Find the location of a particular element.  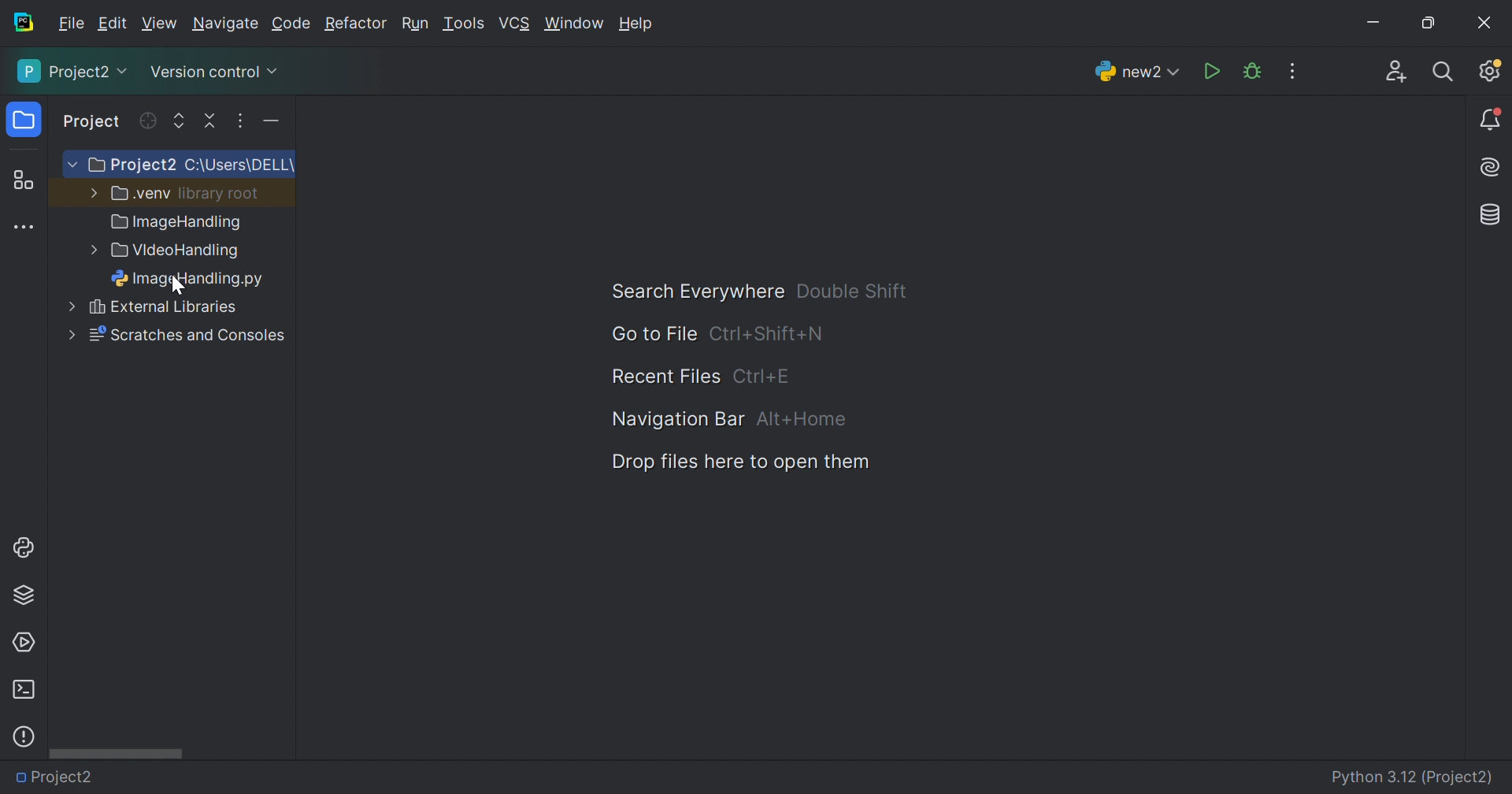

Search everywhere is located at coordinates (1444, 72).